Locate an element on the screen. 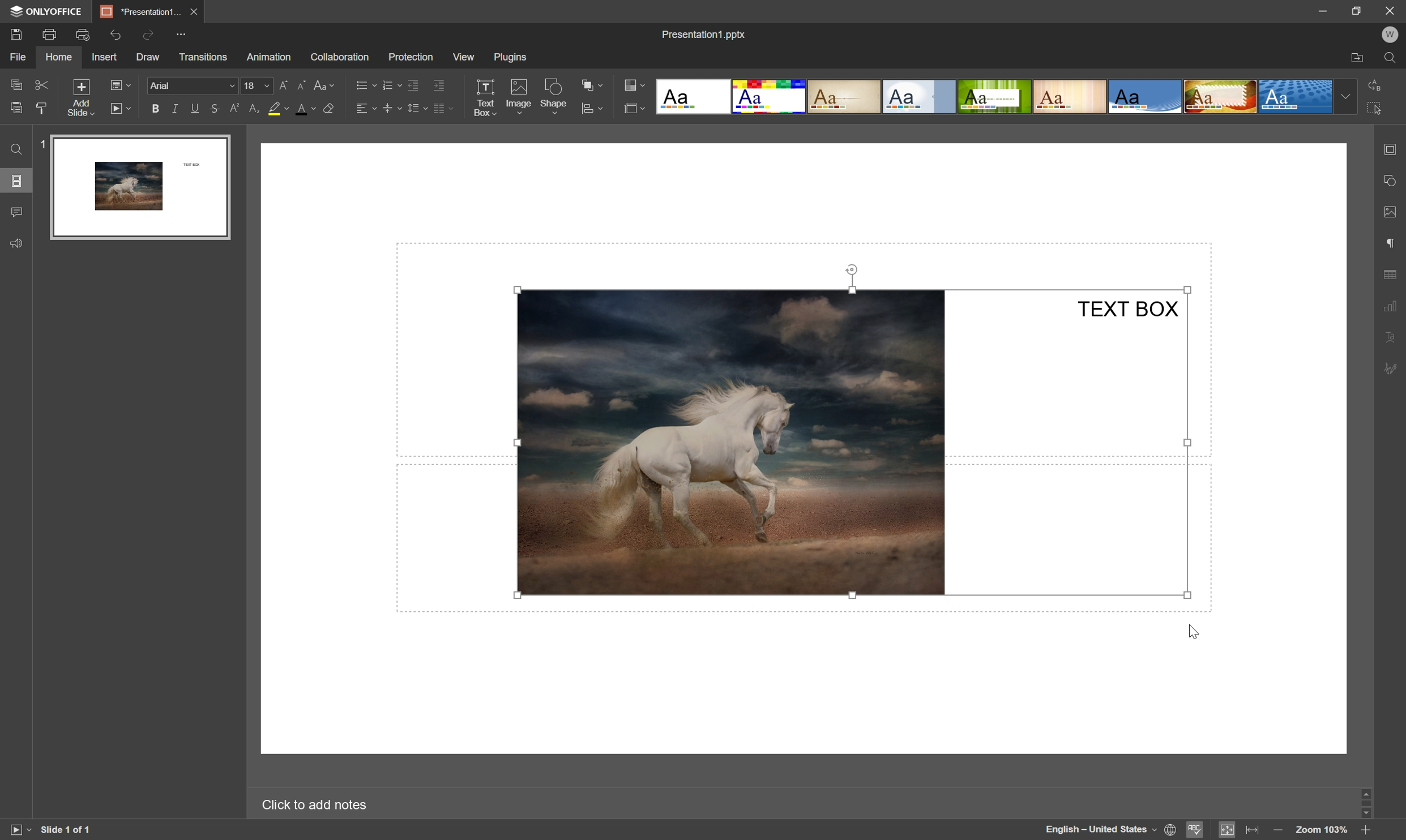 The height and width of the screenshot is (840, 1406). onlyoffice is located at coordinates (48, 11).